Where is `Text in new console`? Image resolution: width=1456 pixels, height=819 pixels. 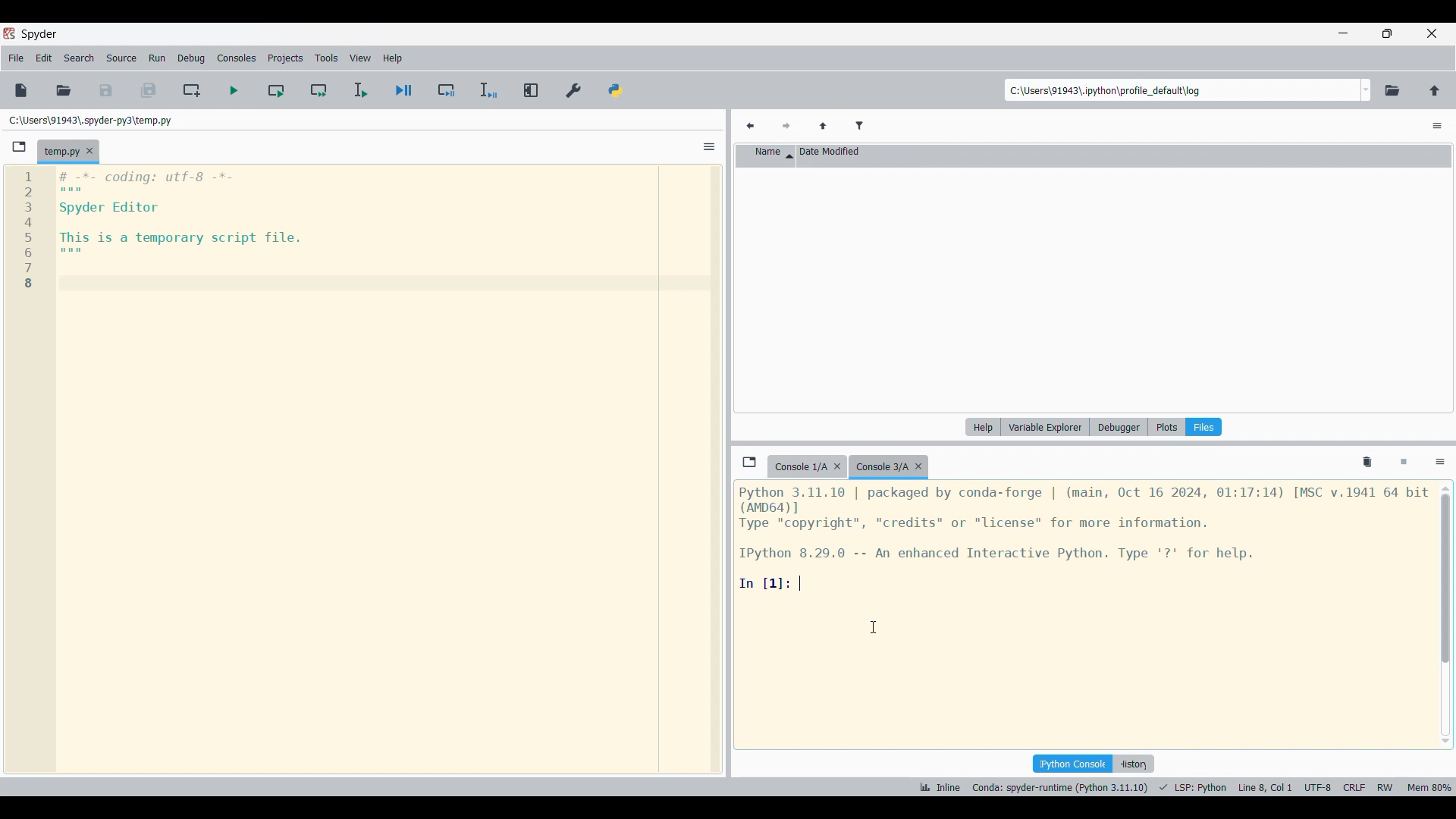 Text in new console is located at coordinates (1084, 538).